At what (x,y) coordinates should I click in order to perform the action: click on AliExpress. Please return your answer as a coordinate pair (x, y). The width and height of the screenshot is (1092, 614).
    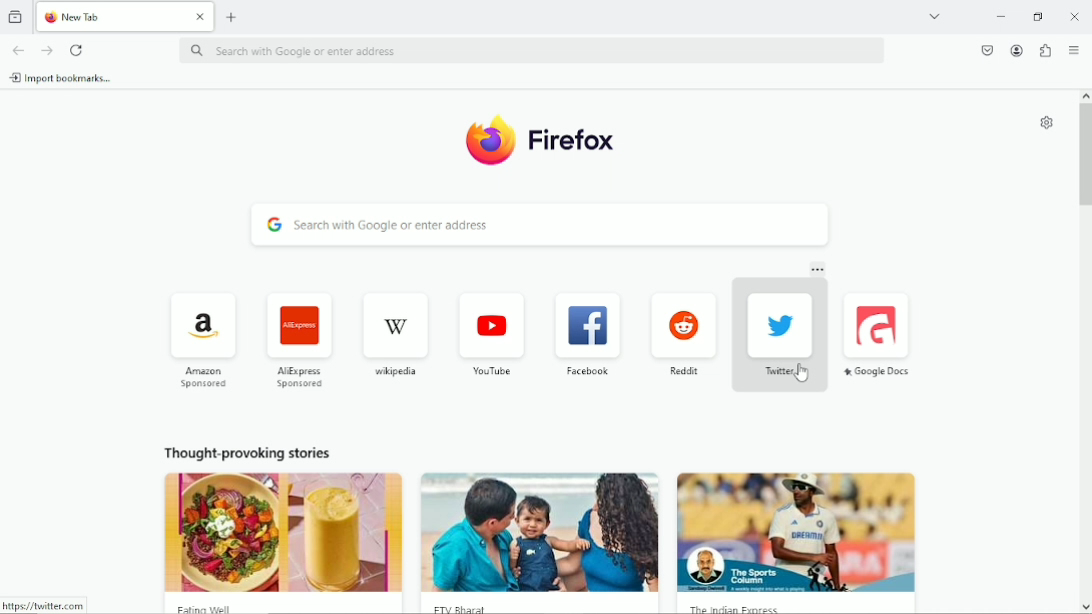
    Looking at the image, I should click on (297, 338).